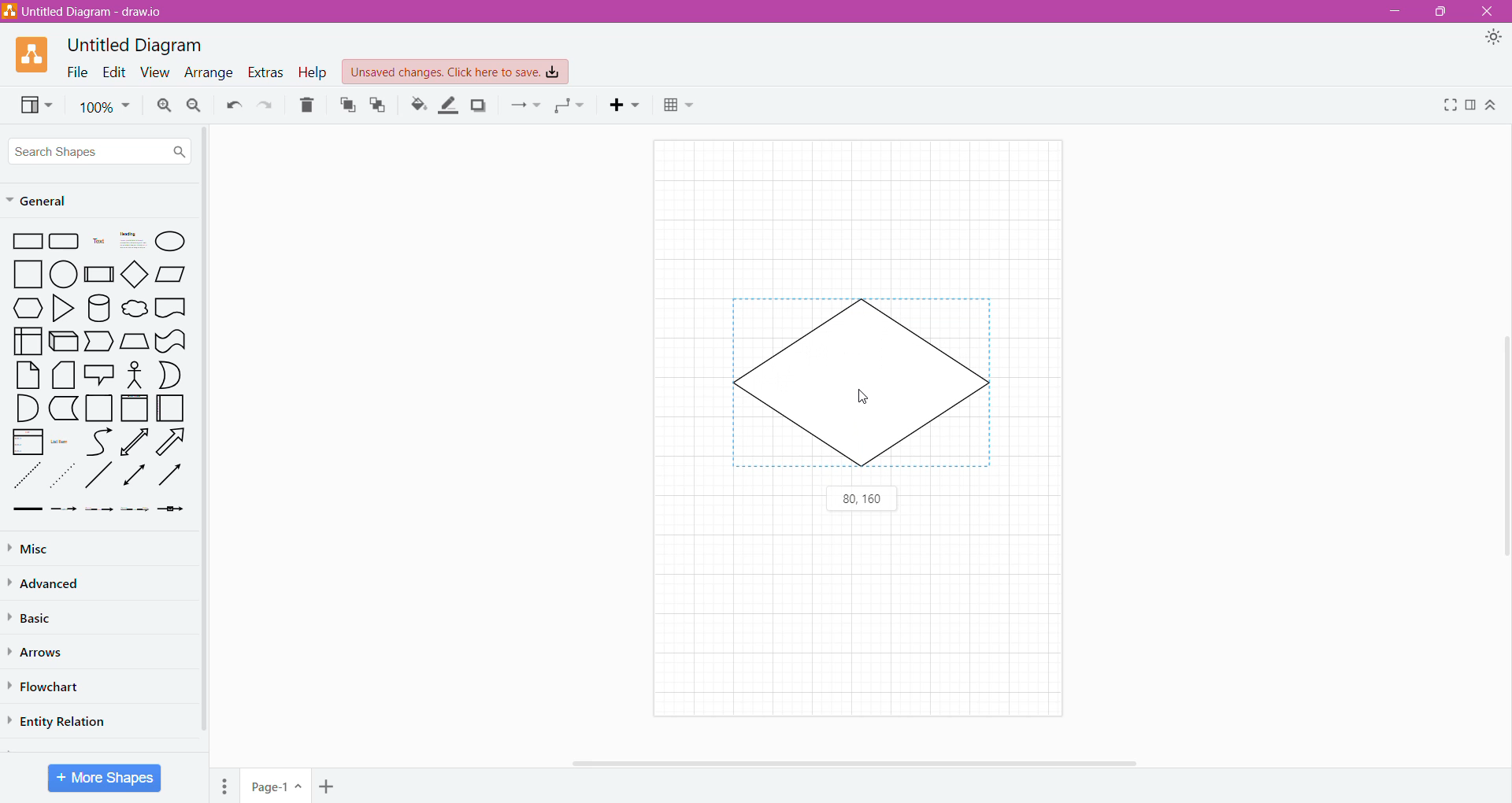  I want to click on Or, so click(171, 375).